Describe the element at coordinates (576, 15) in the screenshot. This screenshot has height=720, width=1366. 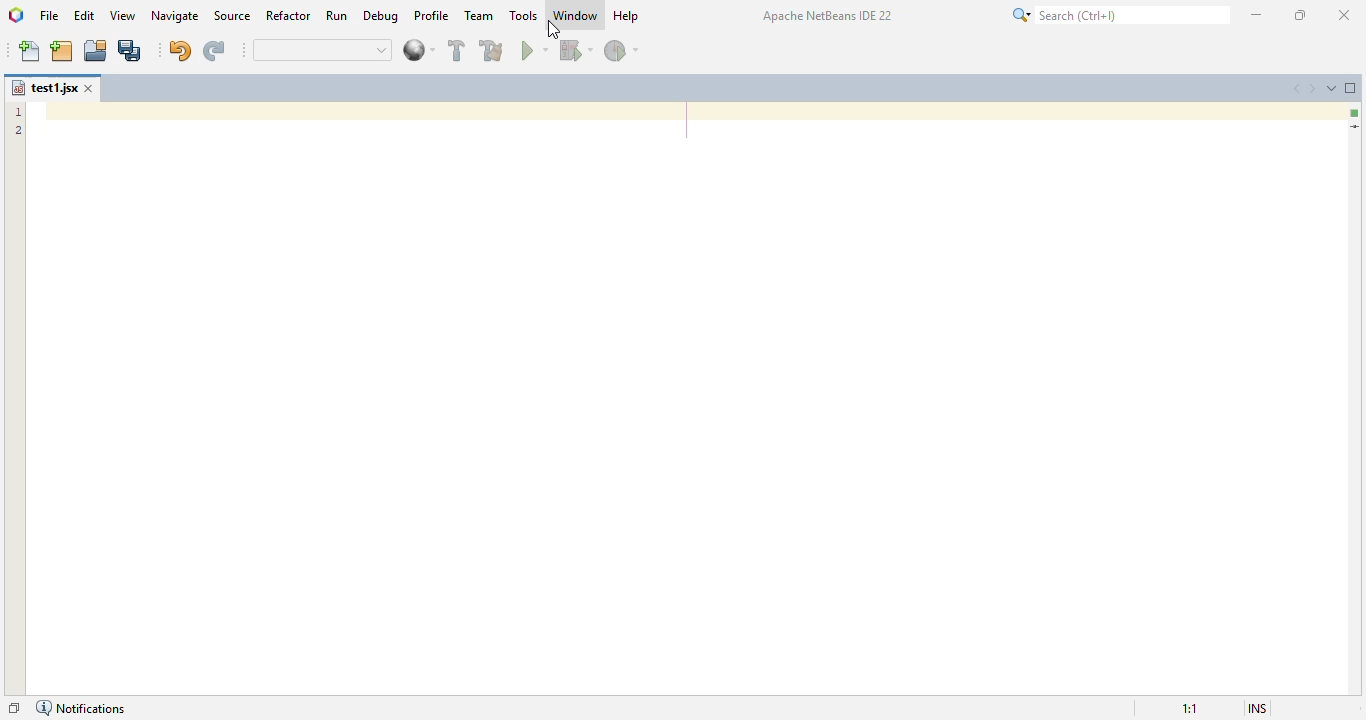
I see `window` at that location.